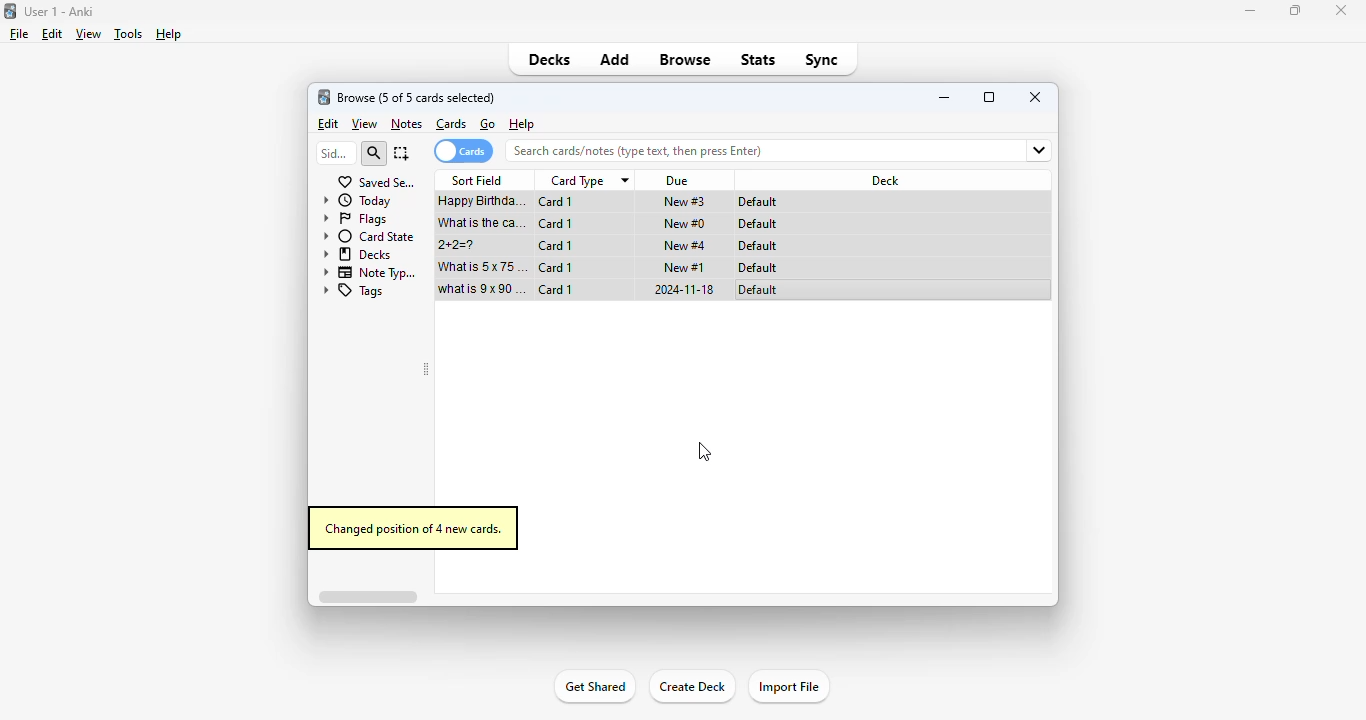 This screenshot has height=720, width=1366. What do you see at coordinates (367, 596) in the screenshot?
I see `horizontal scroll bar` at bounding box center [367, 596].